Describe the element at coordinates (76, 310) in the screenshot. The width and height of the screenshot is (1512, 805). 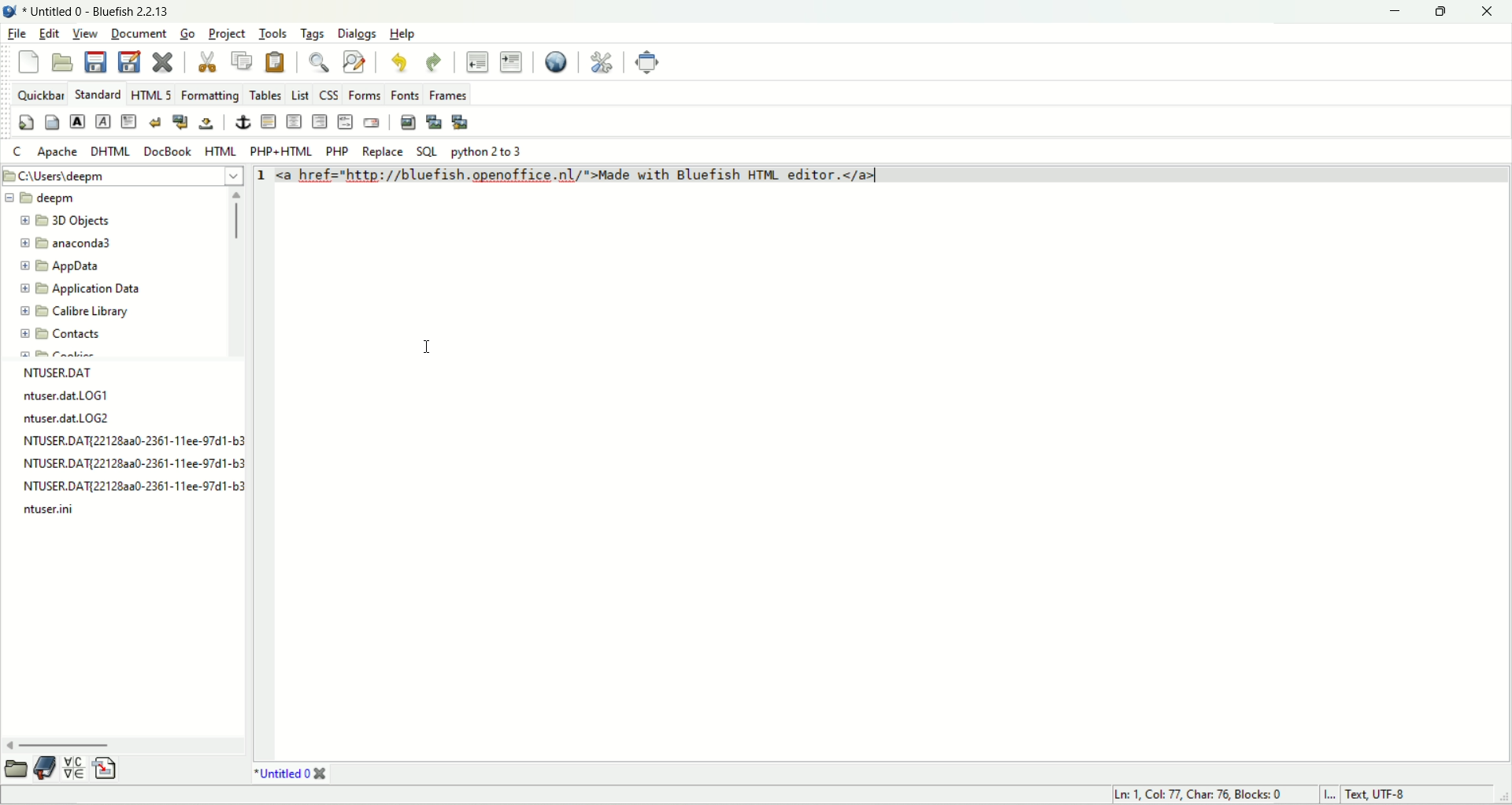
I see `calibre library` at that location.